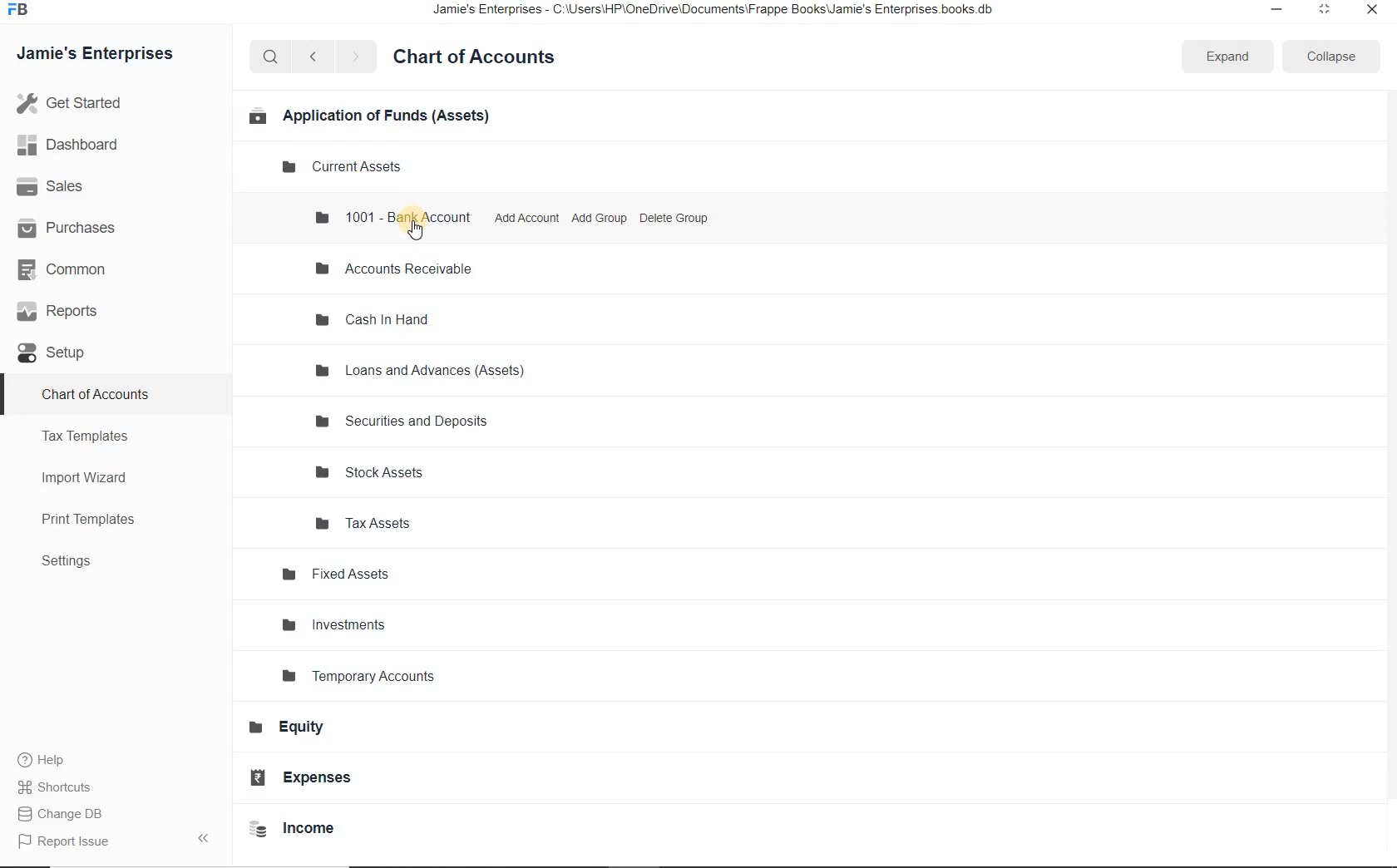 The height and width of the screenshot is (868, 1397). I want to click on expand, so click(1226, 57).